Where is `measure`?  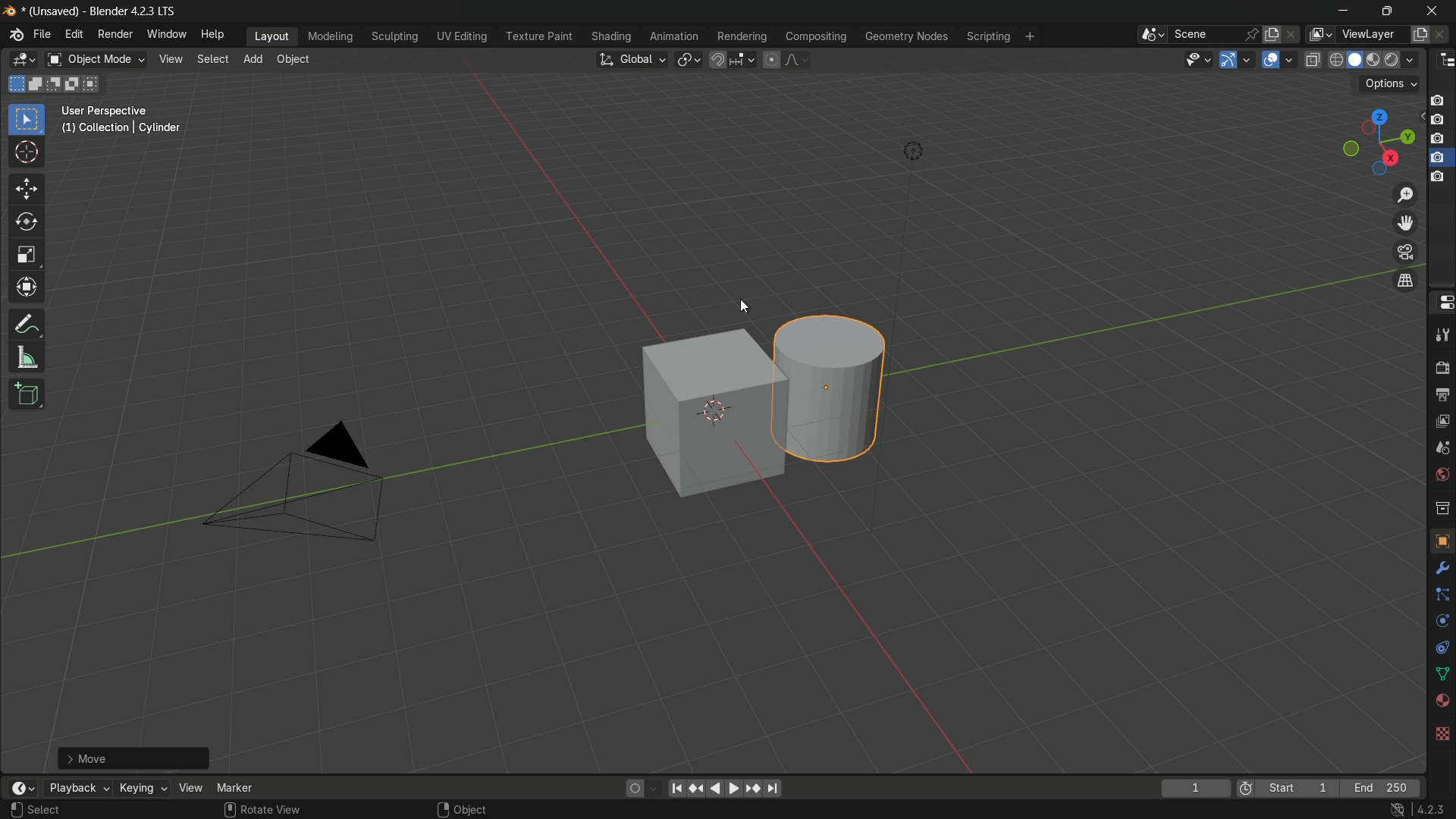
measure is located at coordinates (27, 358).